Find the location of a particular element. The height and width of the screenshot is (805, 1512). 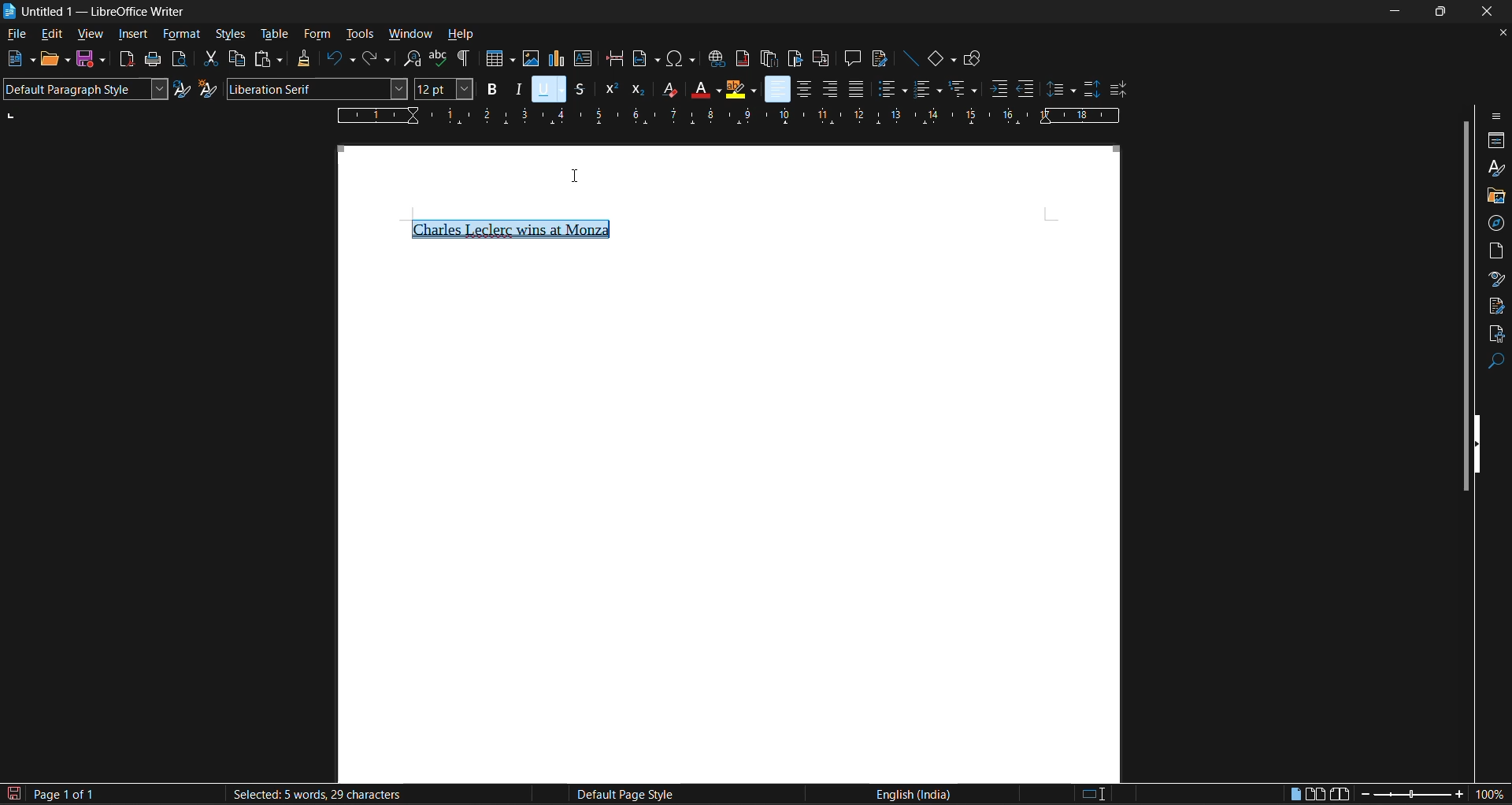

insert text box is located at coordinates (583, 58).